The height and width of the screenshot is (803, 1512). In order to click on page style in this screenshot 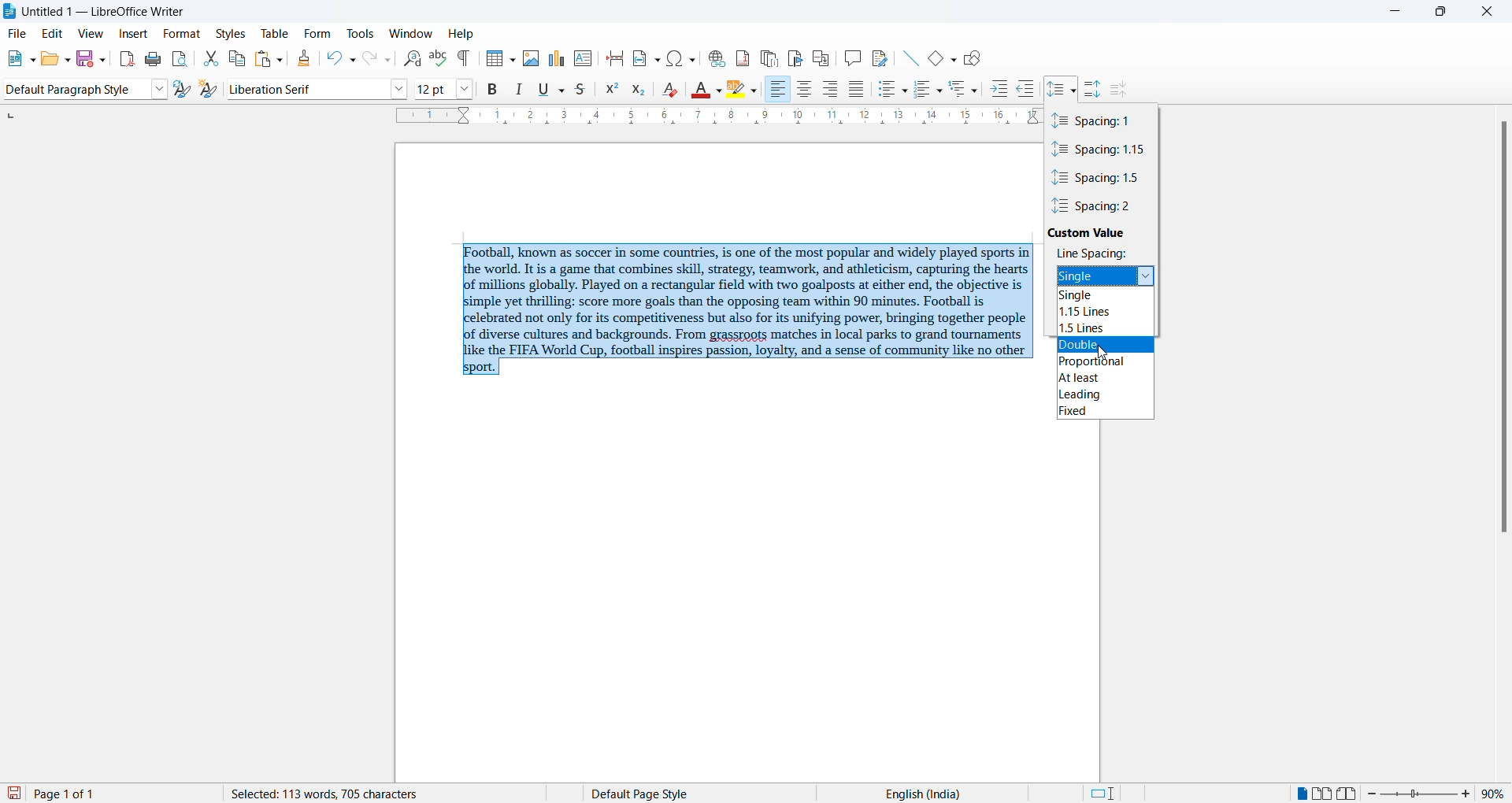, I will do `click(721, 794)`.